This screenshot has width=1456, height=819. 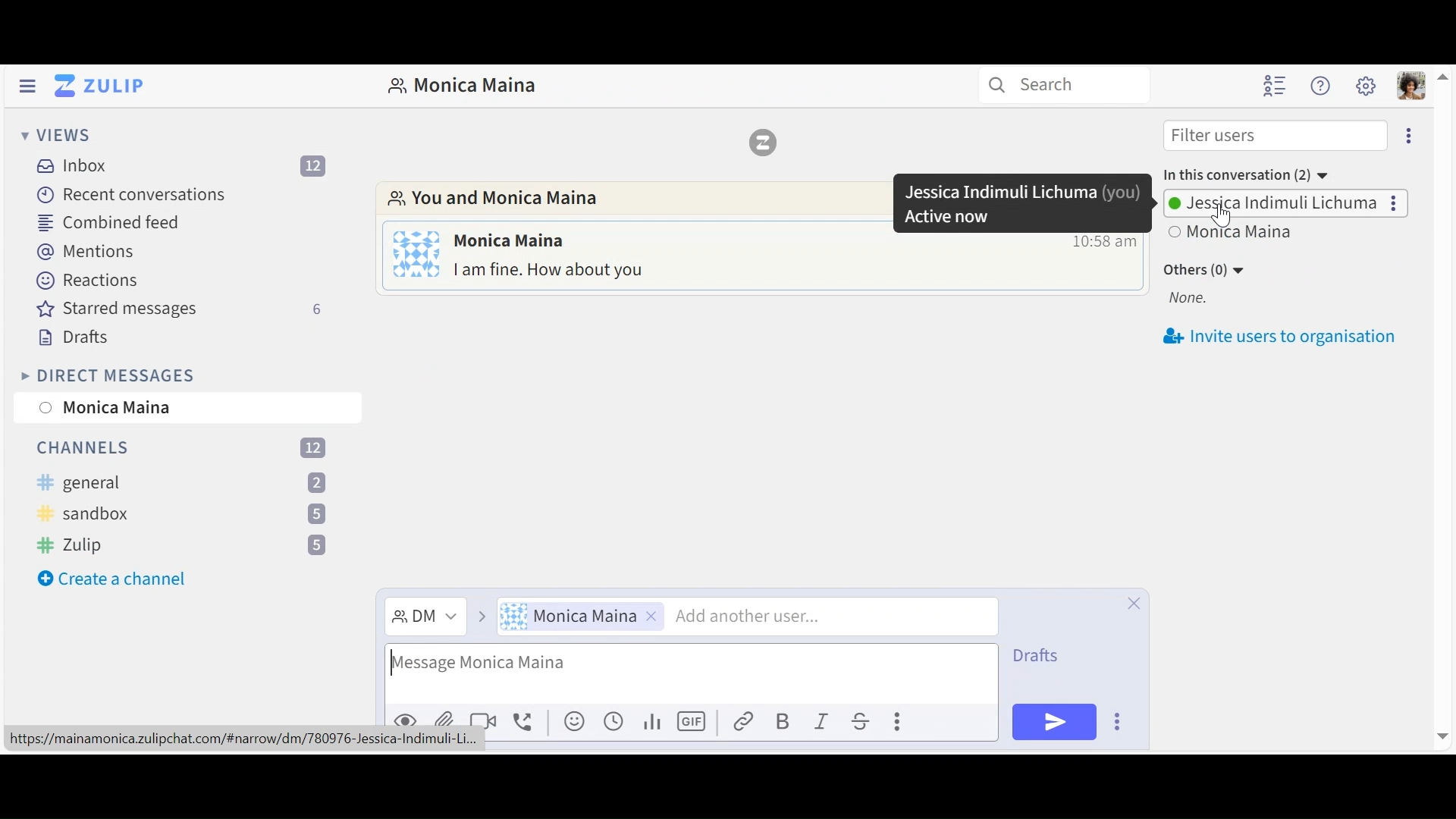 I want to click on Direct Message dropdown menu, so click(x=422, y=617).